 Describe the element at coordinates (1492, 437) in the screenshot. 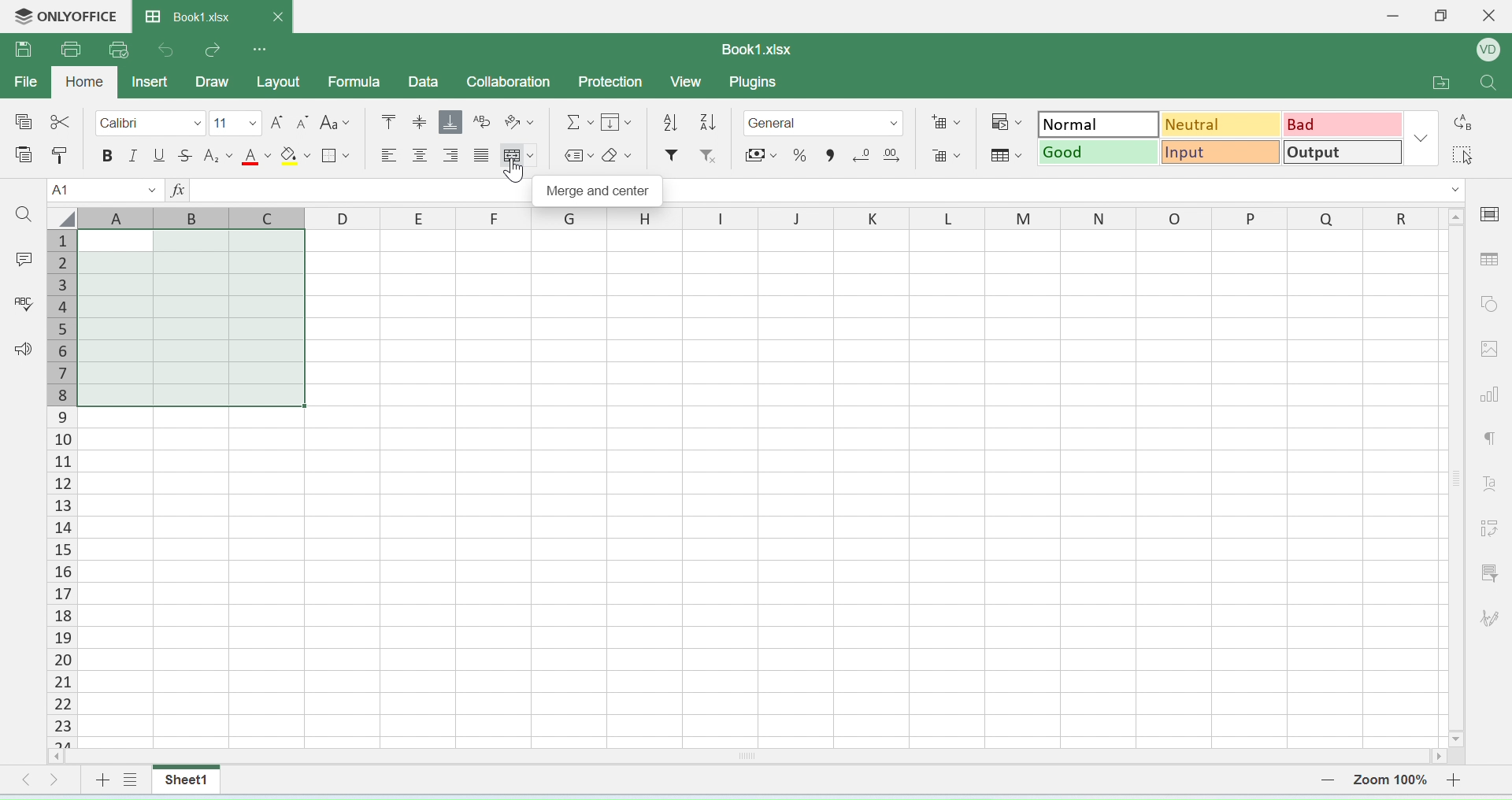

I see `paragraph` at that location.